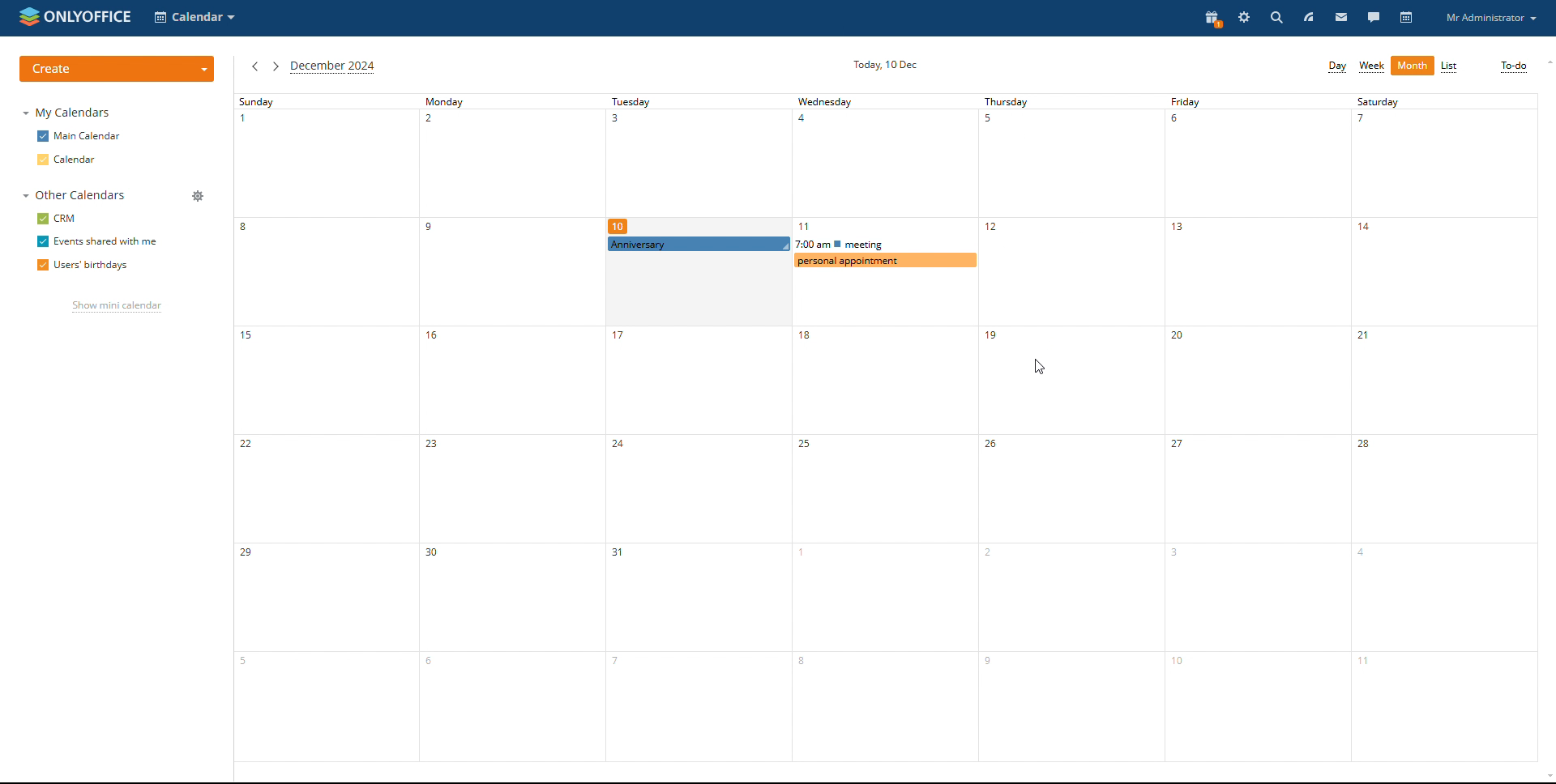 Image resolution: width=1556 pixels, height=784 pixels. What do you see at coordinates (794, 245) in the screenshot?
I see `scheduled event` at bounding box center [794, 245].